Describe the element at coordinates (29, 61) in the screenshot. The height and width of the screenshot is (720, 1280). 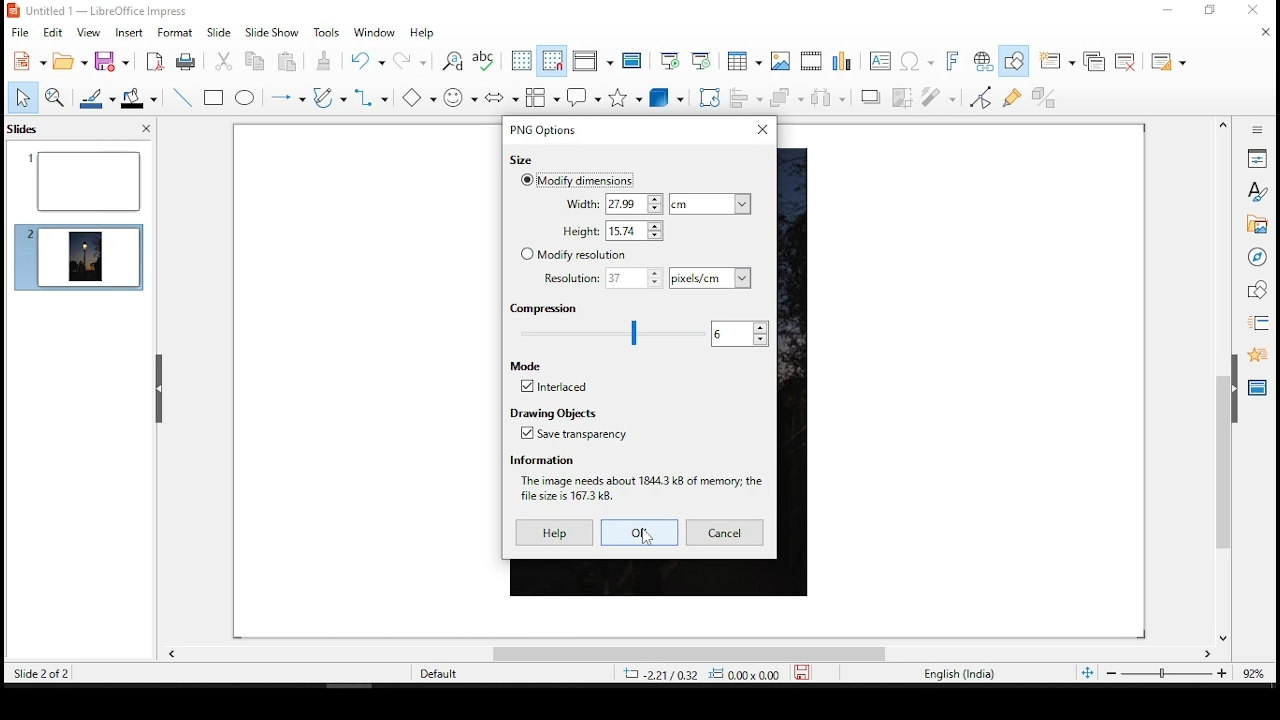
I see `new` at that location.